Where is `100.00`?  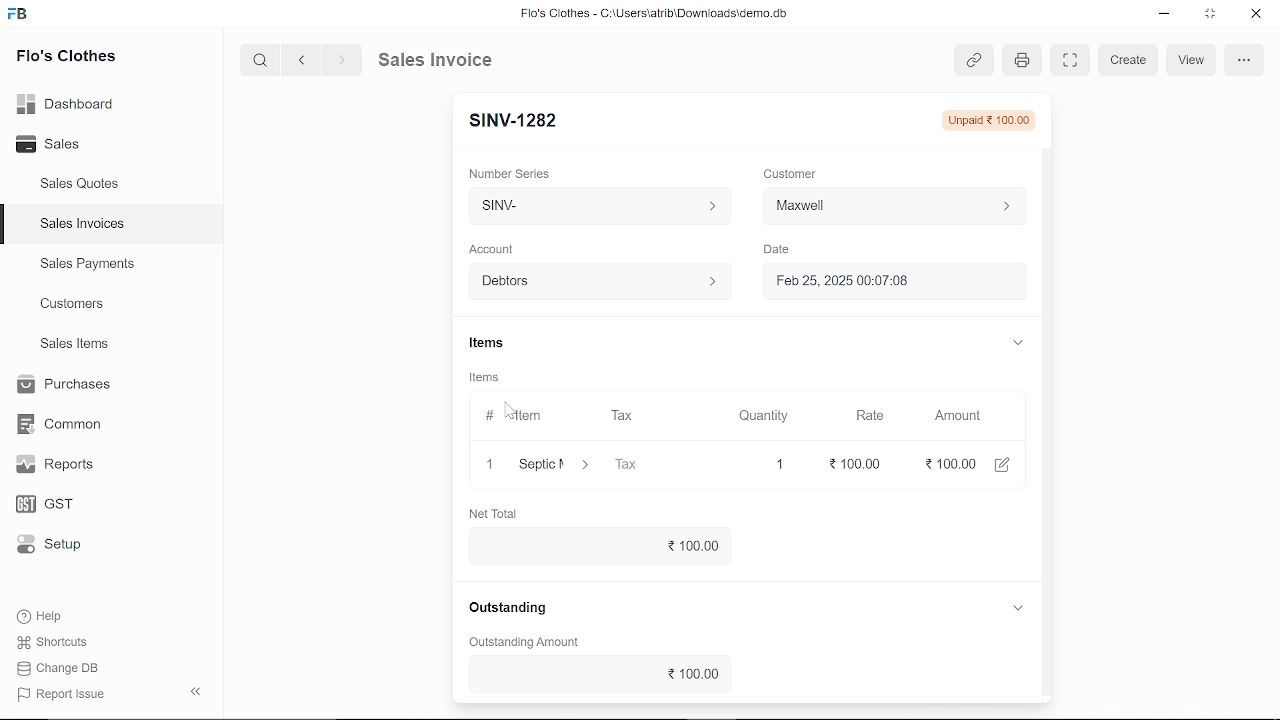 100.00 is located at coordinates (854, 463).